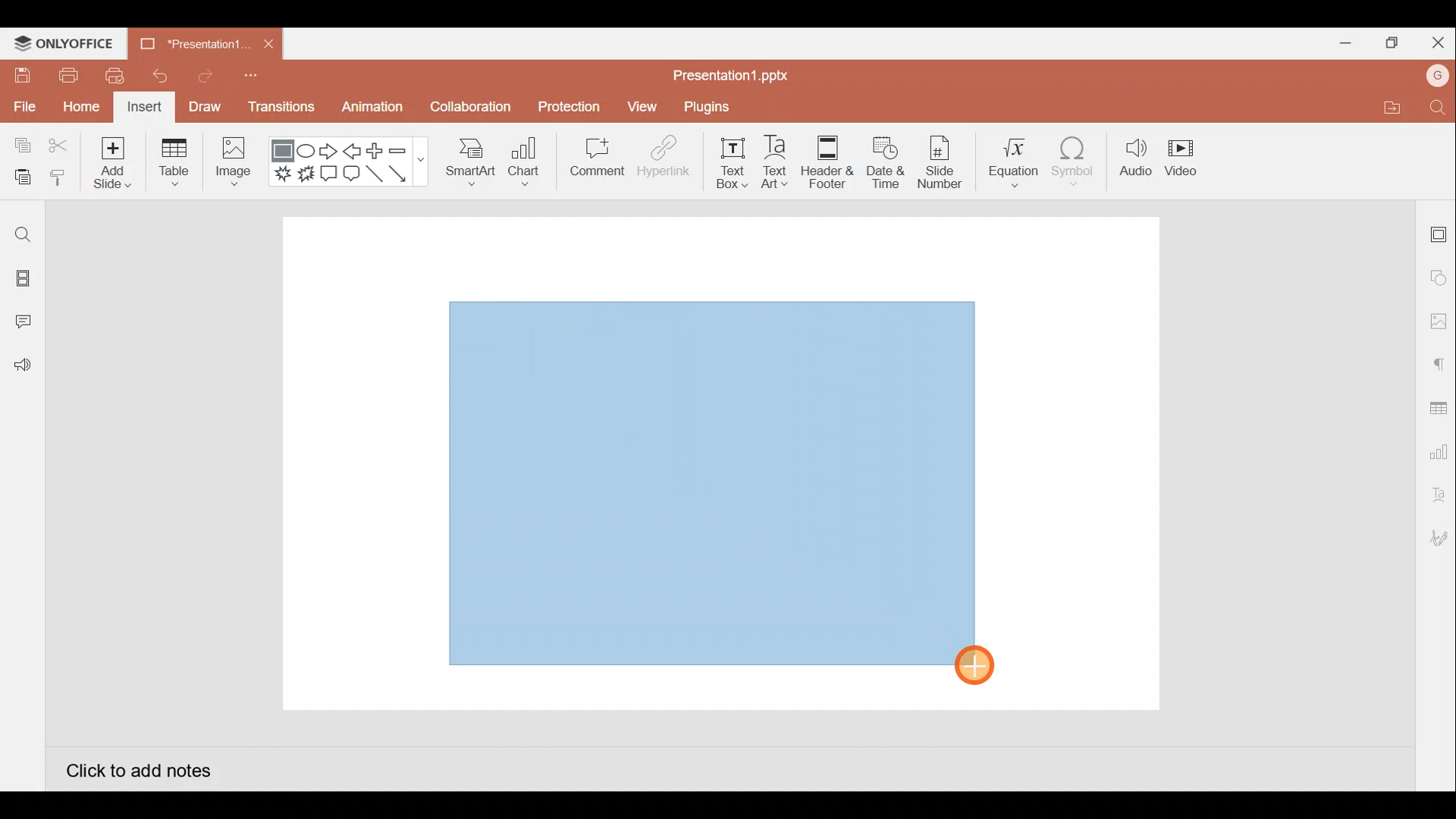 This screenshot has width=1456, height=819. What do you see at coordinates (378, 151) in the screenshot?
I see `Plus` at bounding box center [378, 151].